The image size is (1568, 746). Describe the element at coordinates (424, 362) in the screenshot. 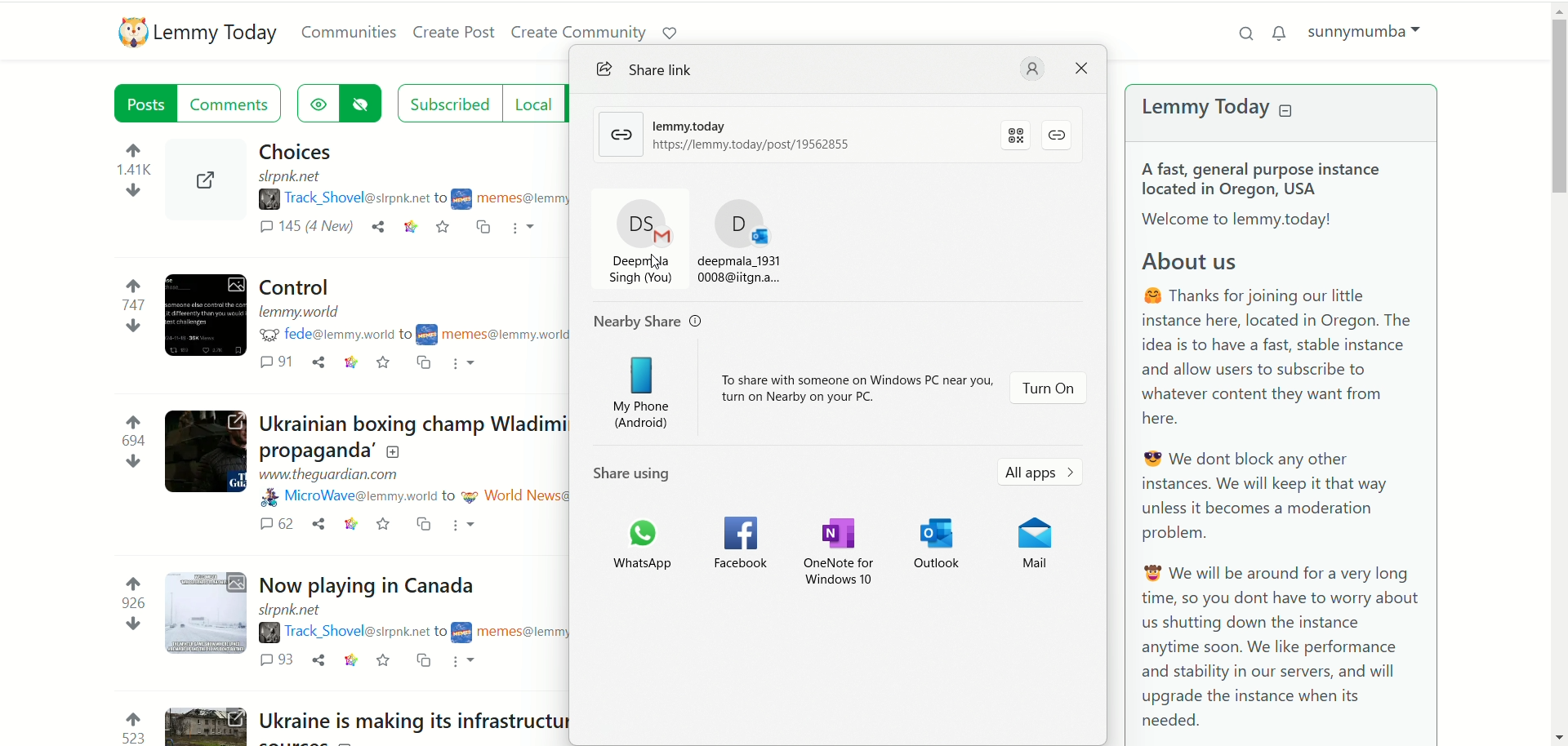

I see `cross post` at that location.